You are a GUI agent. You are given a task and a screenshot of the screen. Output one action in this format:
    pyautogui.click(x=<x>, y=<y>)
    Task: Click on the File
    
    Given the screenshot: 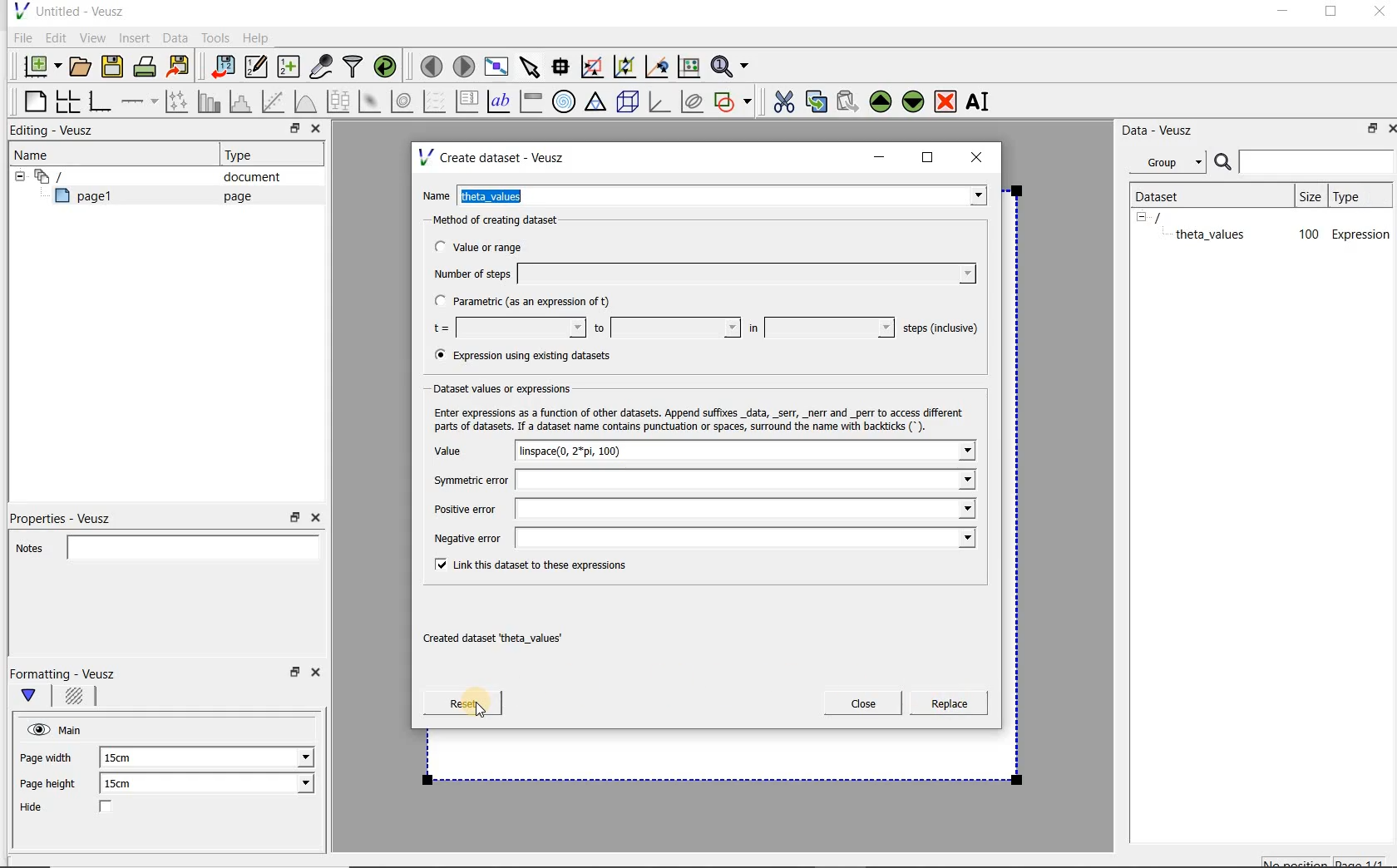 What is the action you would take?
    pyautogui.click(x=20, y=38)
    